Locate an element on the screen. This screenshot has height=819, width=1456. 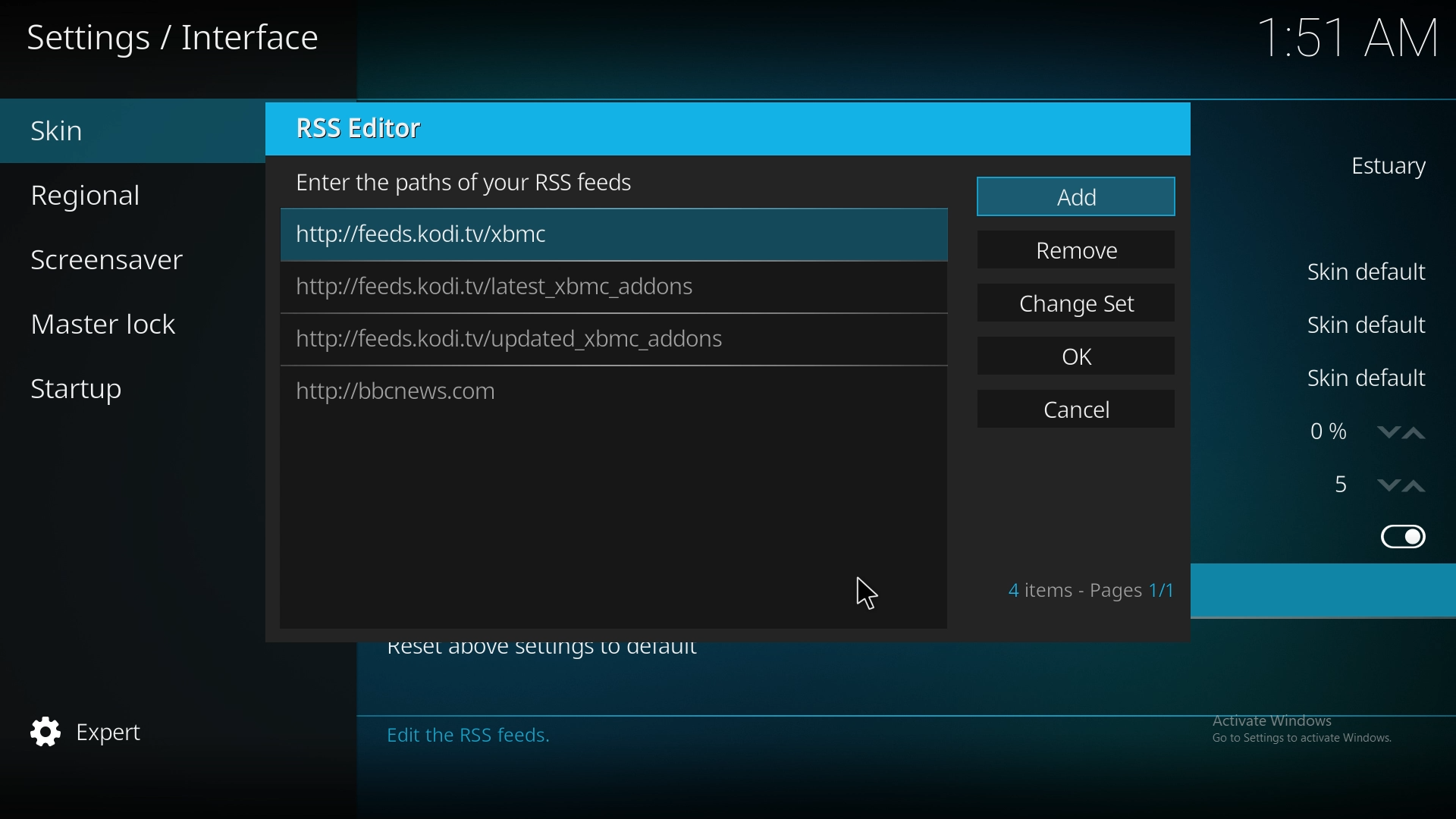
master lock is located at coordinates (129, 323).